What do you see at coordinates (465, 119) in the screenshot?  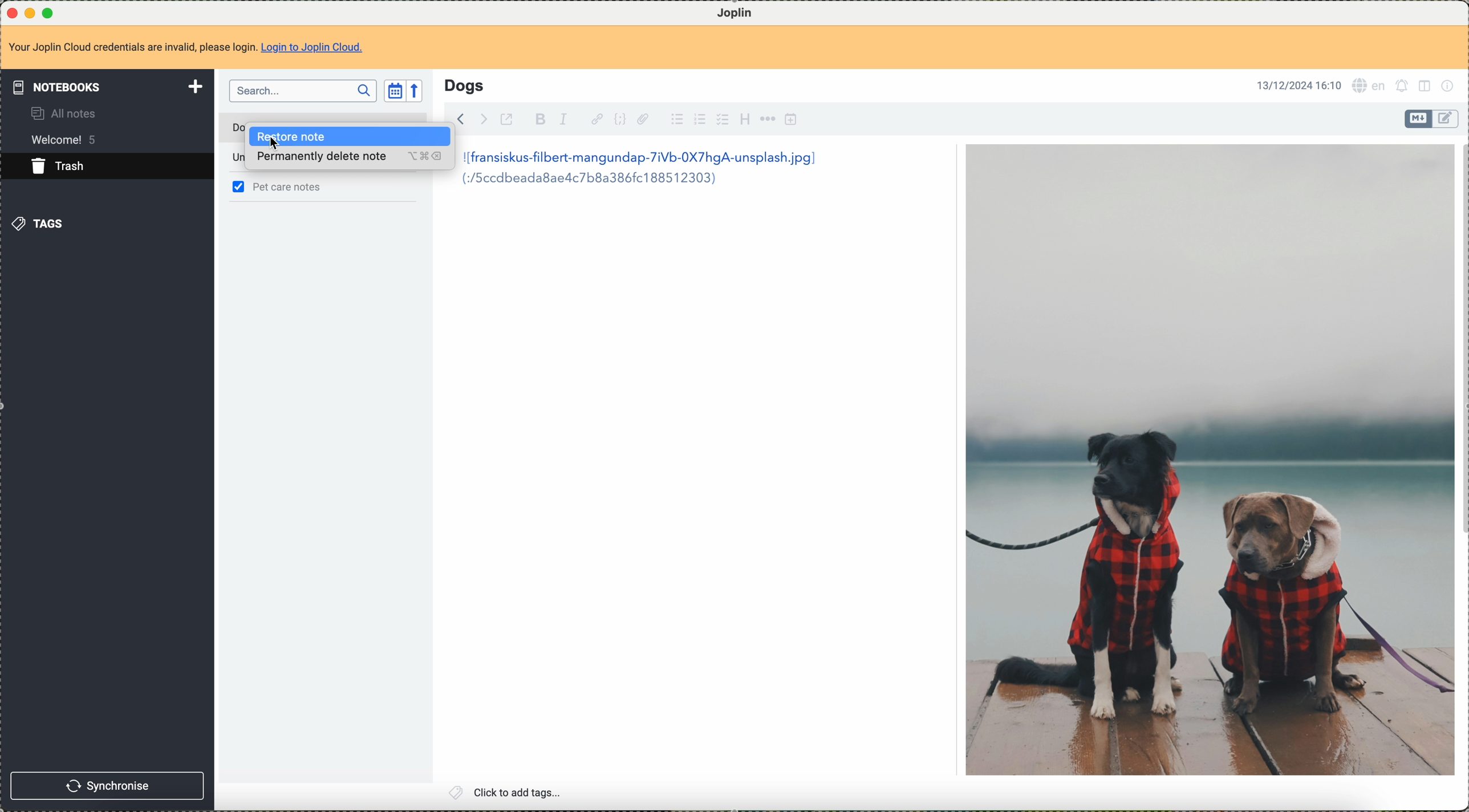 I see `back` at bounding box center [465, 119].